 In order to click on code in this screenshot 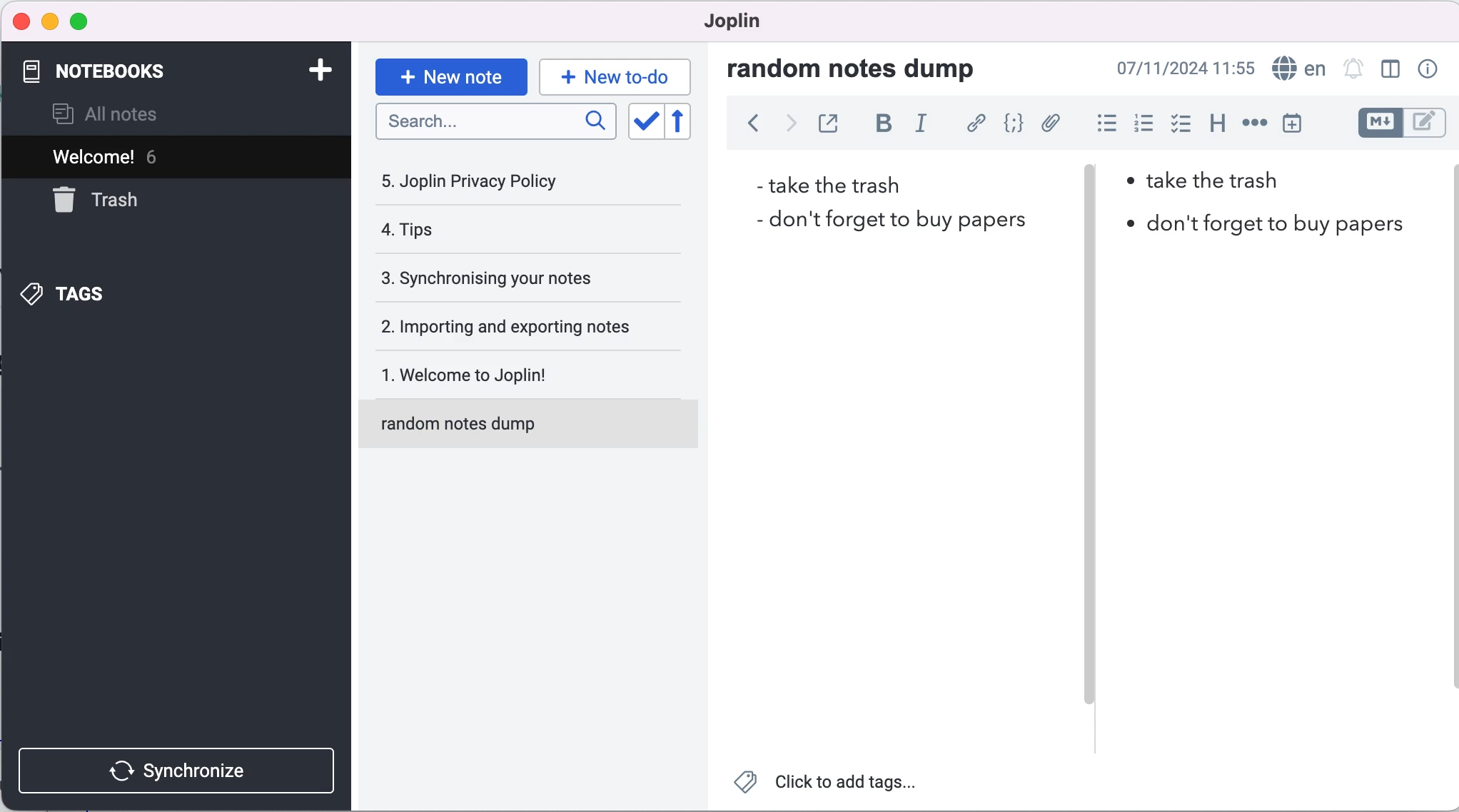, I will do `click(1010, 125)`.